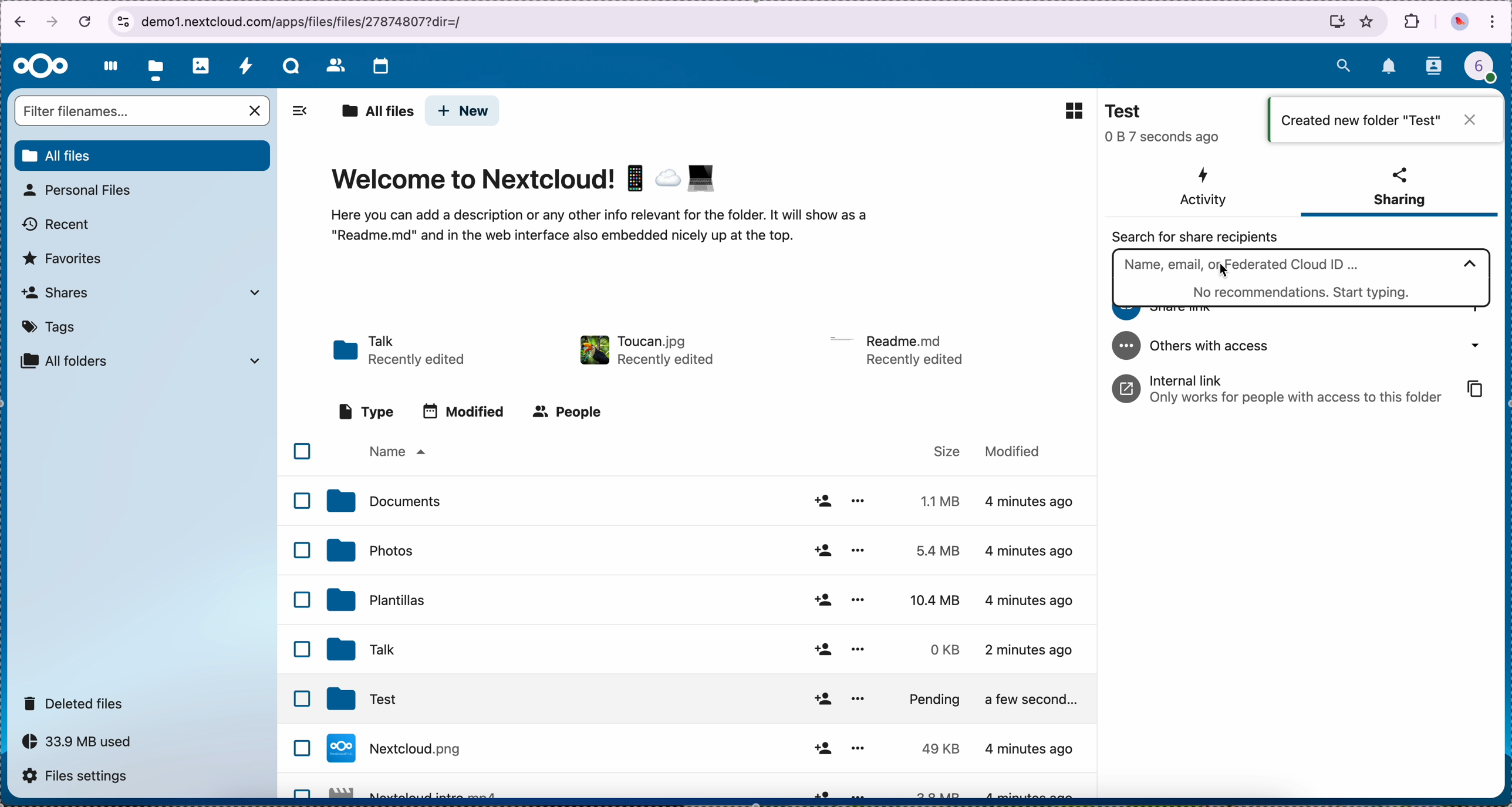 This screenshot has height=807, width=1512. What do you see at coordinates (706, 551) in the screenshot?
I see `photos folder` at bounding box center [706, 551].